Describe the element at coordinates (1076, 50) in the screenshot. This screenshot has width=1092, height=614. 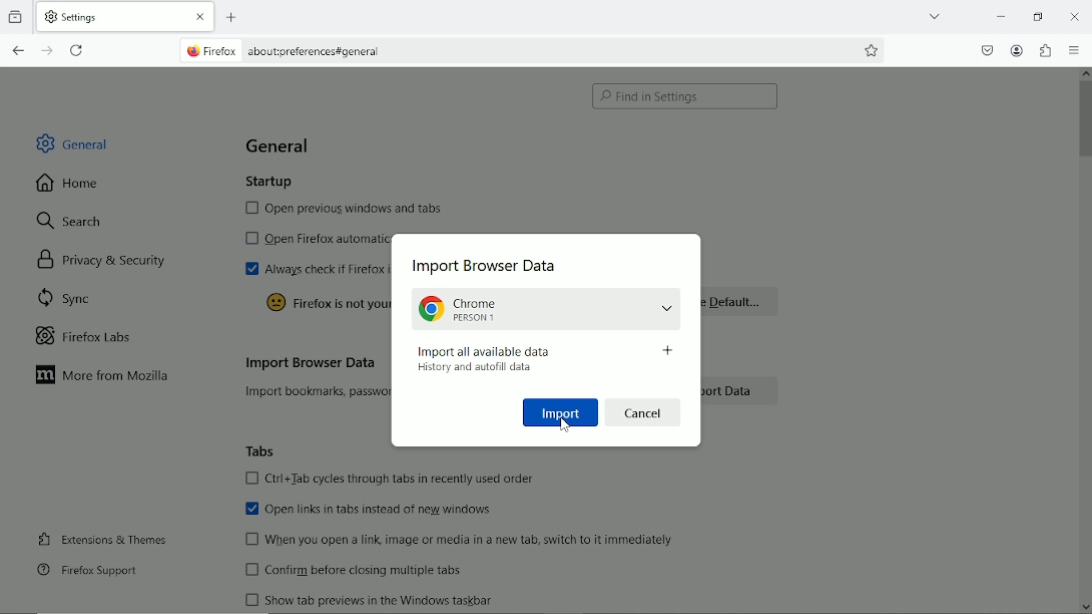
I see `Open application menu` at that location.